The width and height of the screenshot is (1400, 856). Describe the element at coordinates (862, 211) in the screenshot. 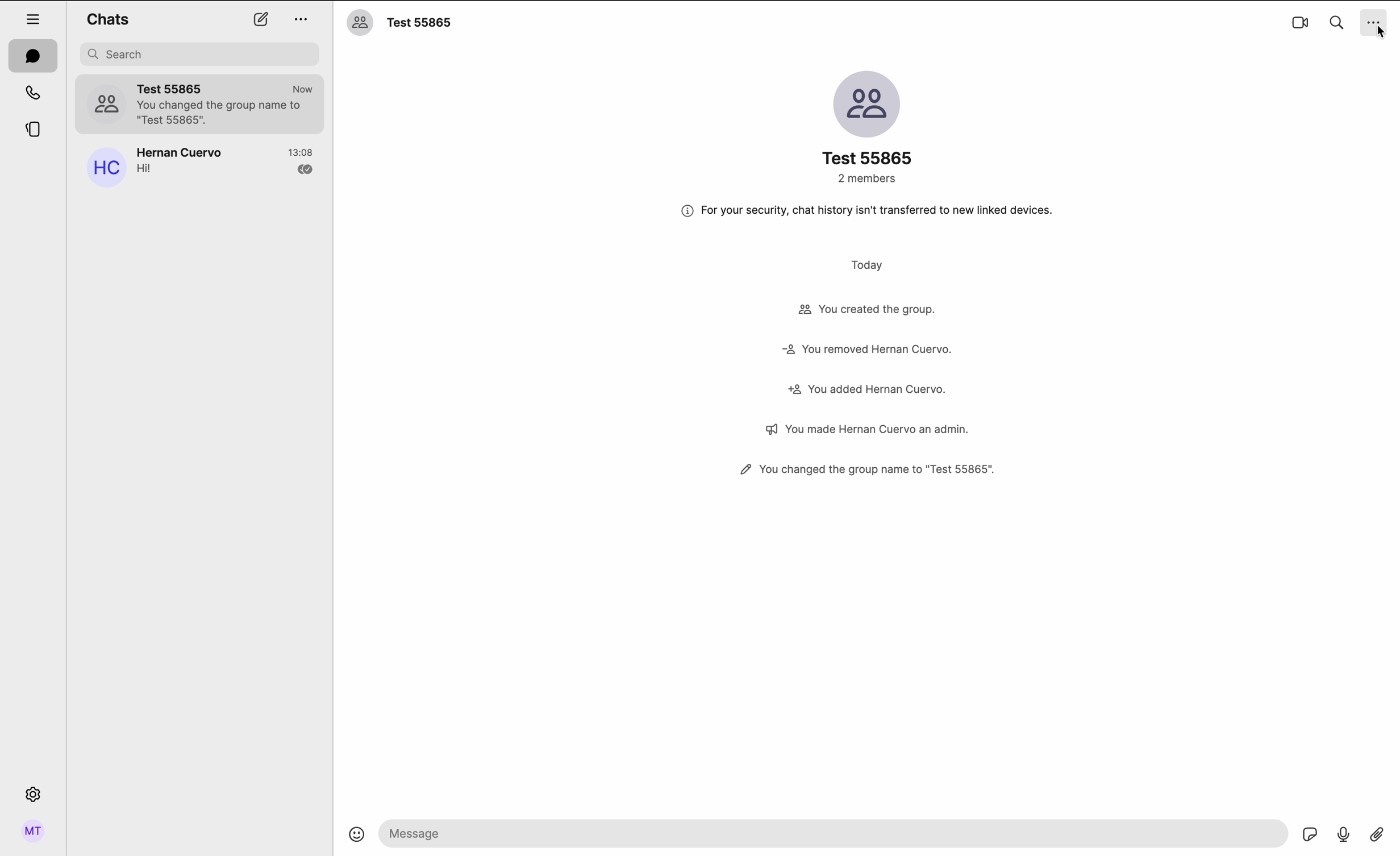

I see `note` at that location.